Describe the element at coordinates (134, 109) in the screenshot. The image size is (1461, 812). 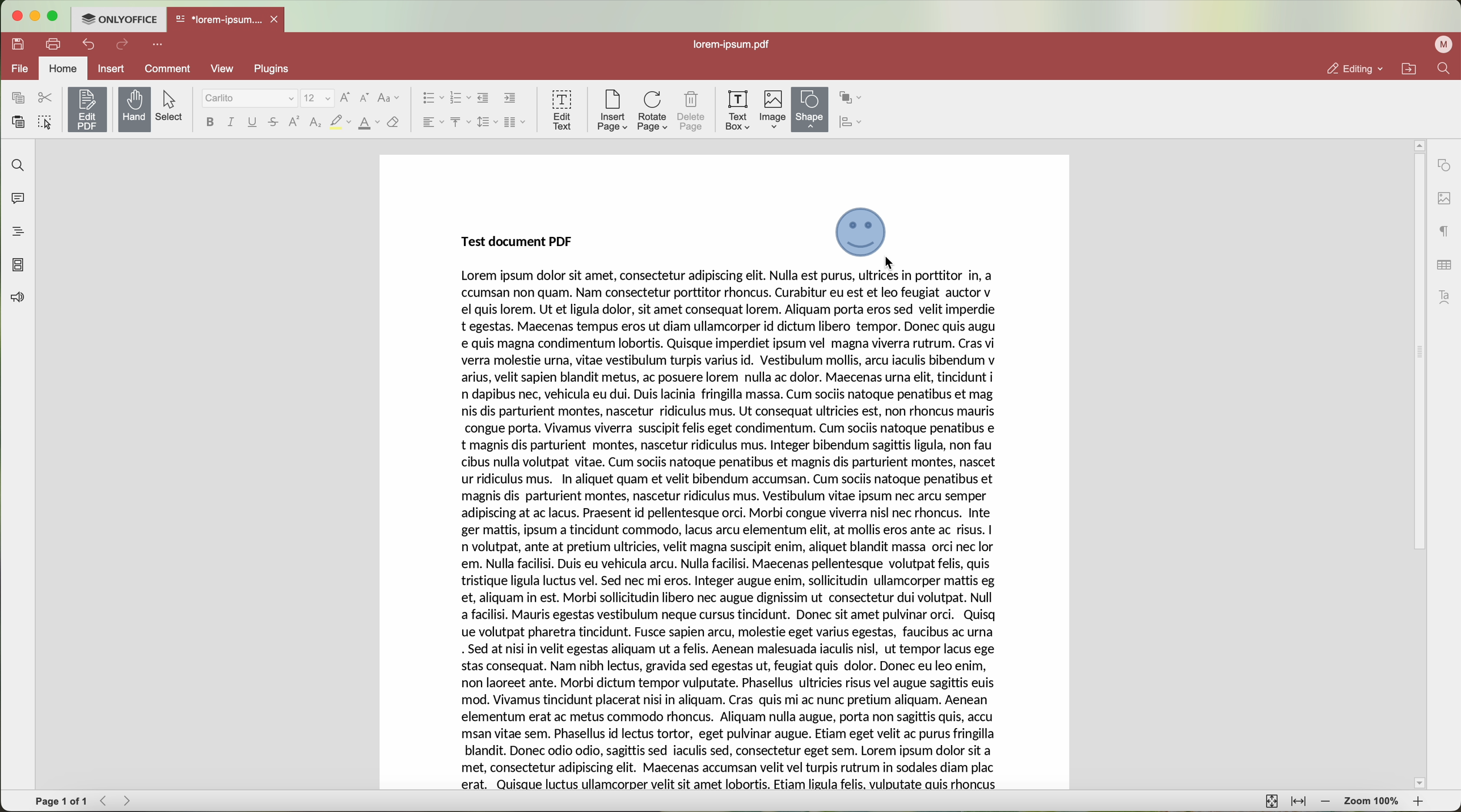
I see `hand` at that location.